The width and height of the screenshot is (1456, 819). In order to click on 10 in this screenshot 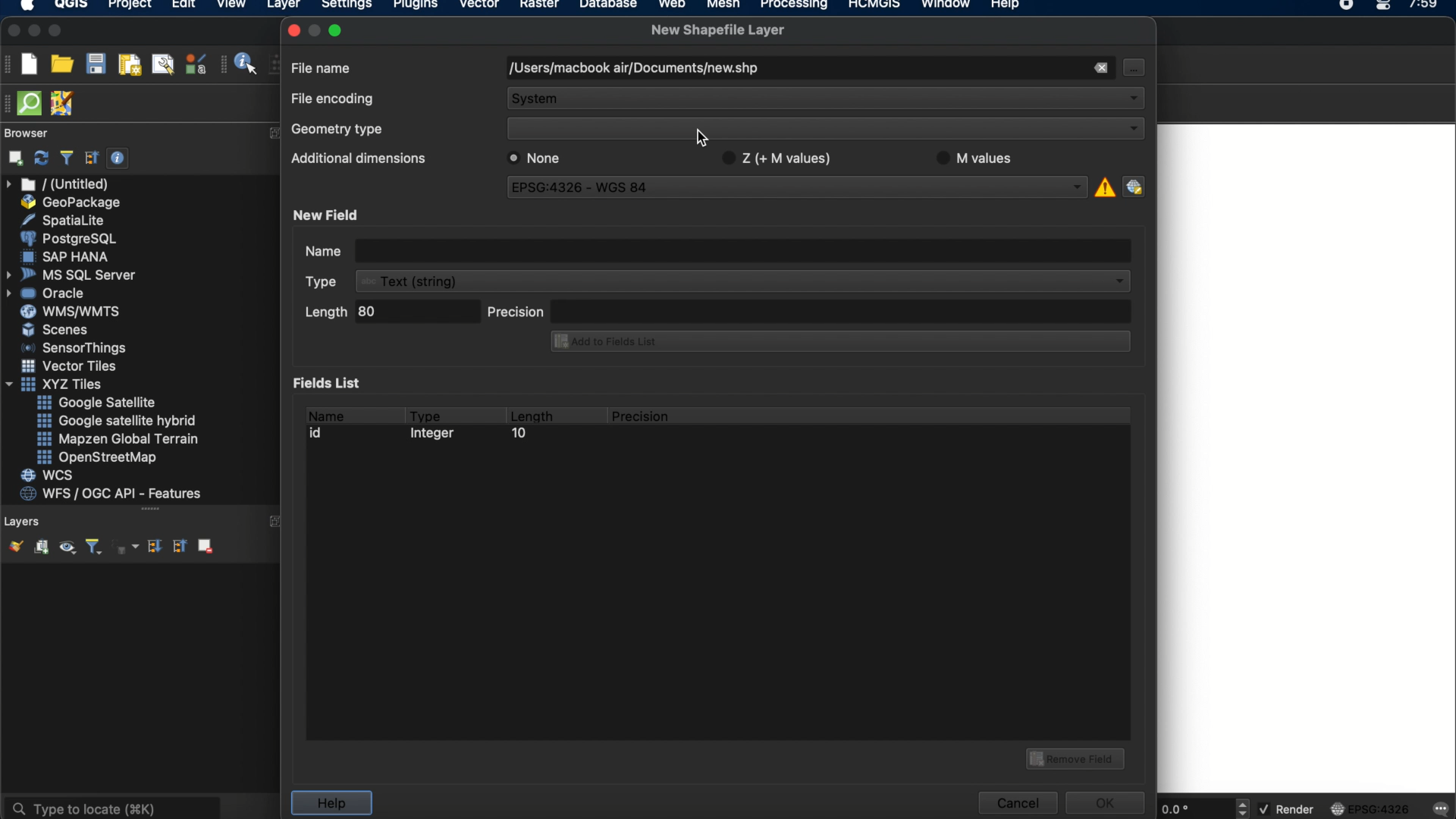, I will do `click(518, 435)`.